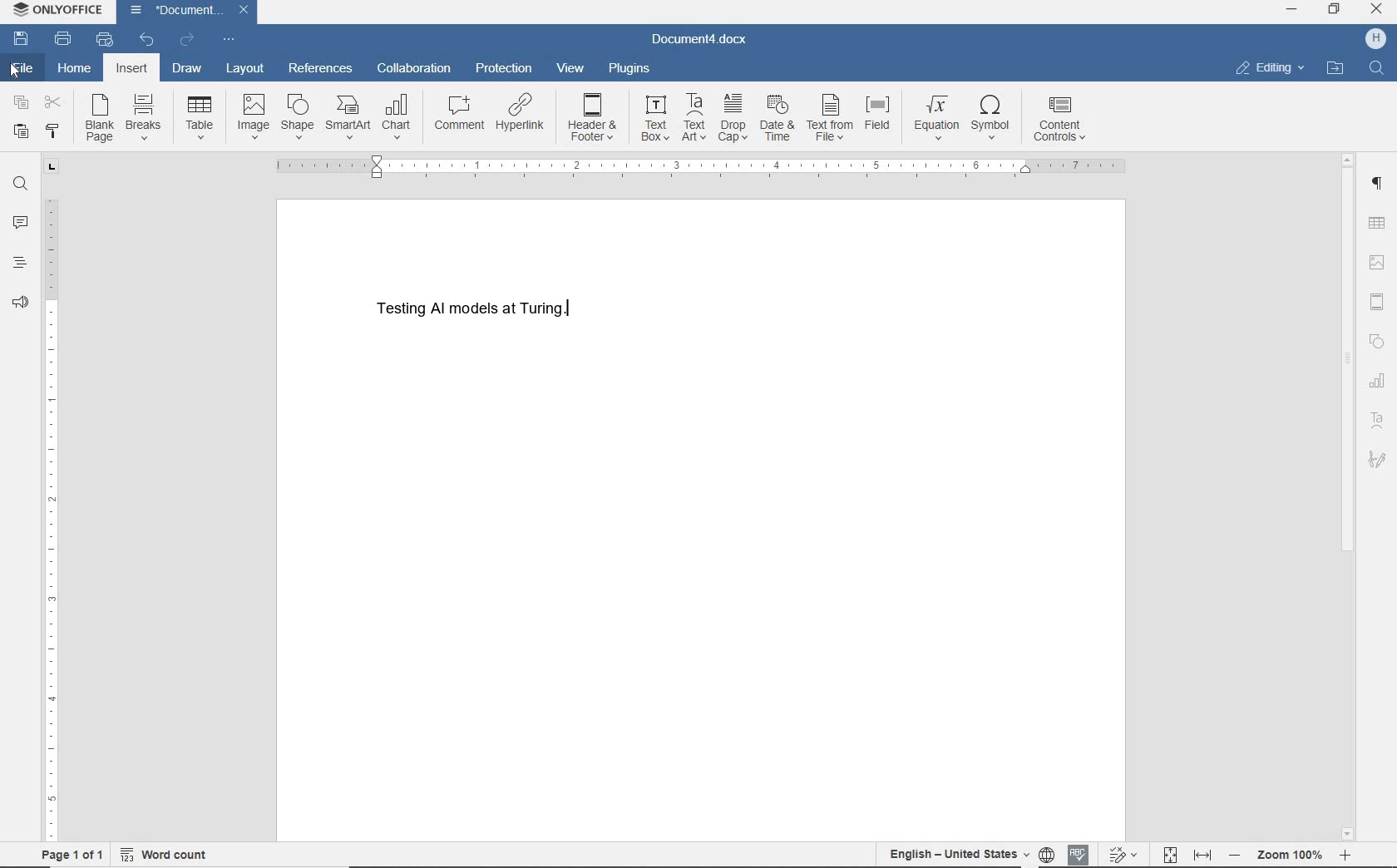 The image size is (1397, 868). I want to click on spell checking, so click(1079, 853).